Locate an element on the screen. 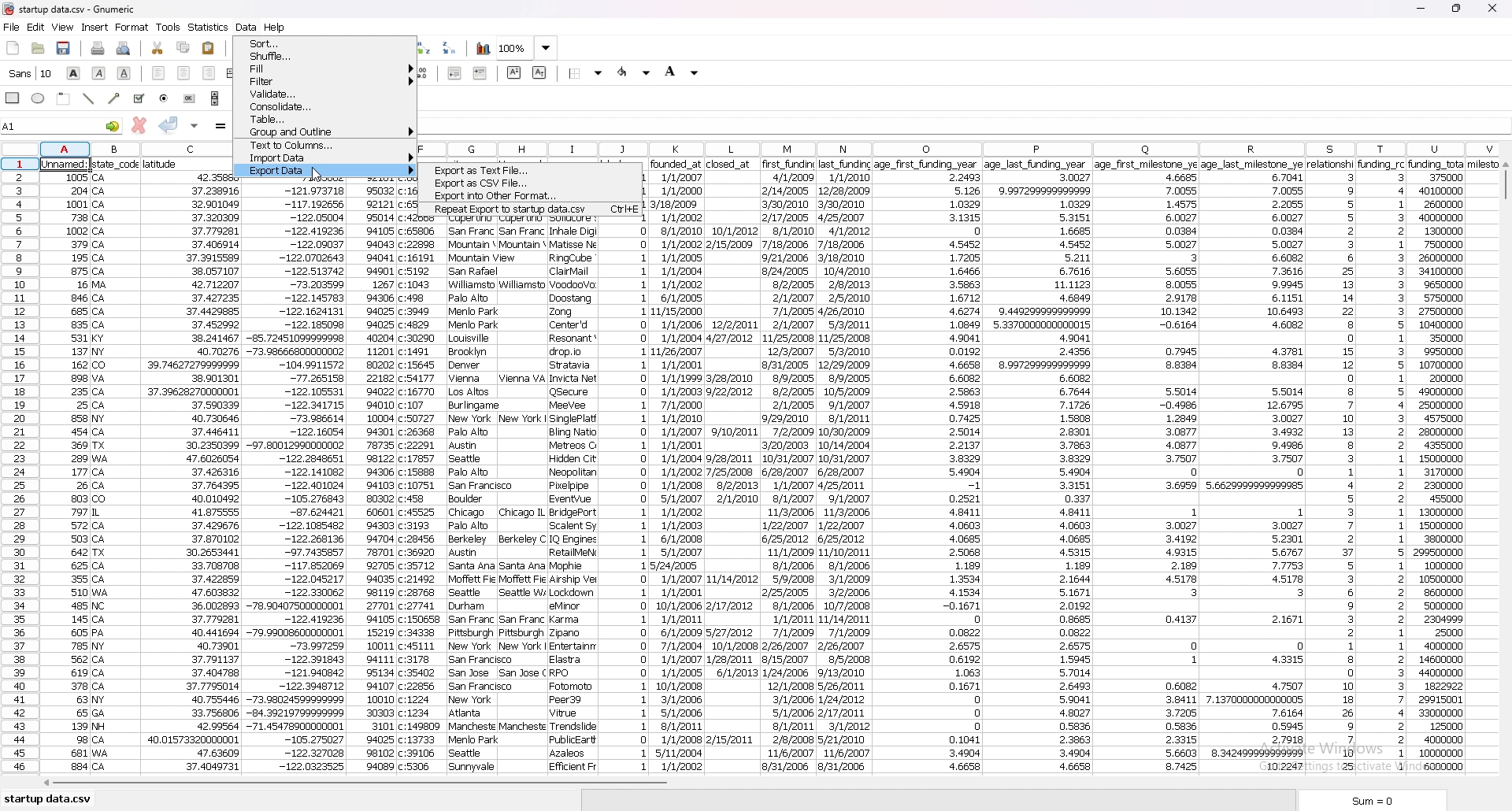  resize is located at coordinates (1458, 8).